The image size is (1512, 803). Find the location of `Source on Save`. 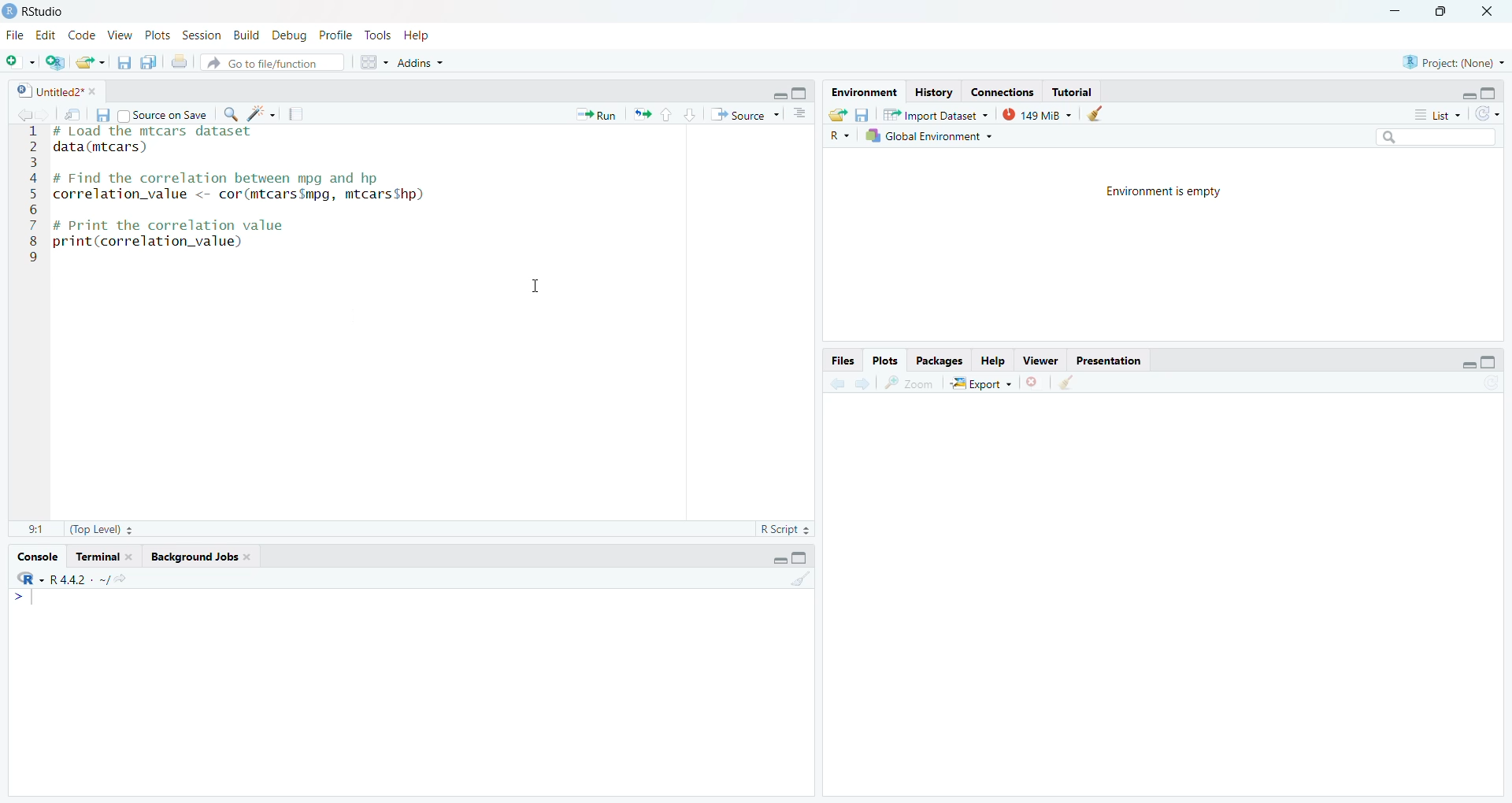

Source on Save is located at coordinates (165, 116).